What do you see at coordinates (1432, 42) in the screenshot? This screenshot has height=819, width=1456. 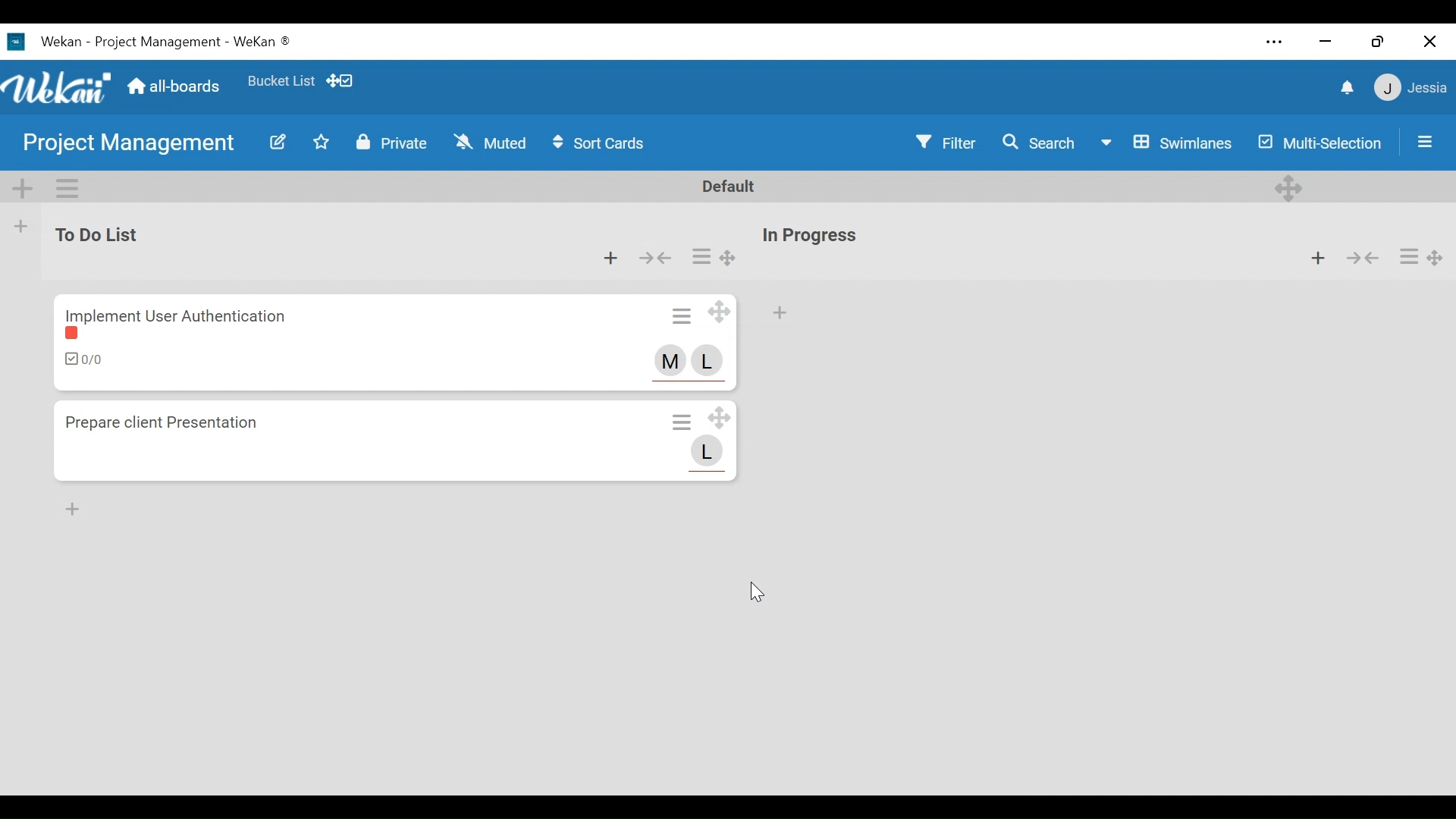 I see `close` at bounding box center [1432, 42].